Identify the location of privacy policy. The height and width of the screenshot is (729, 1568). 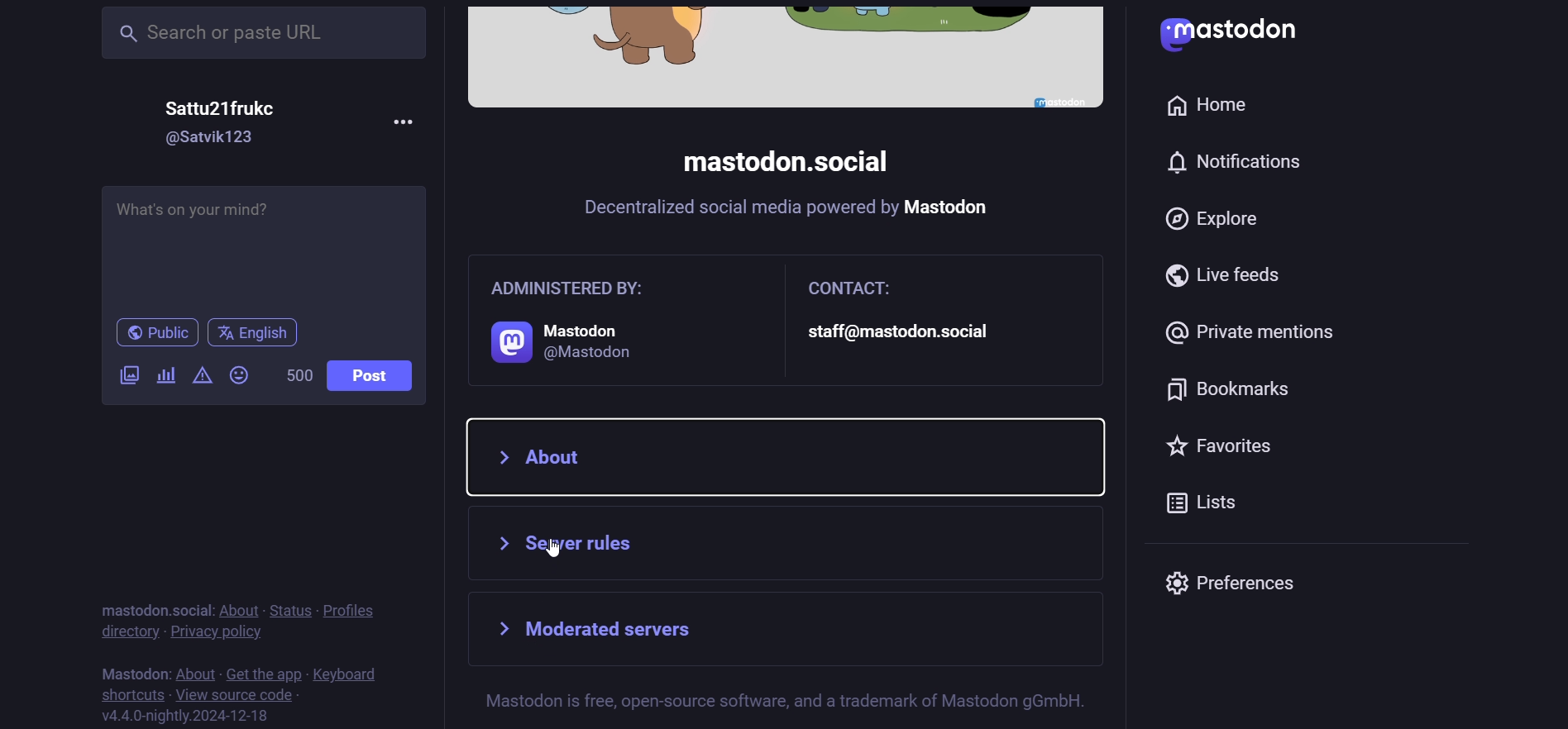
(218, 631).